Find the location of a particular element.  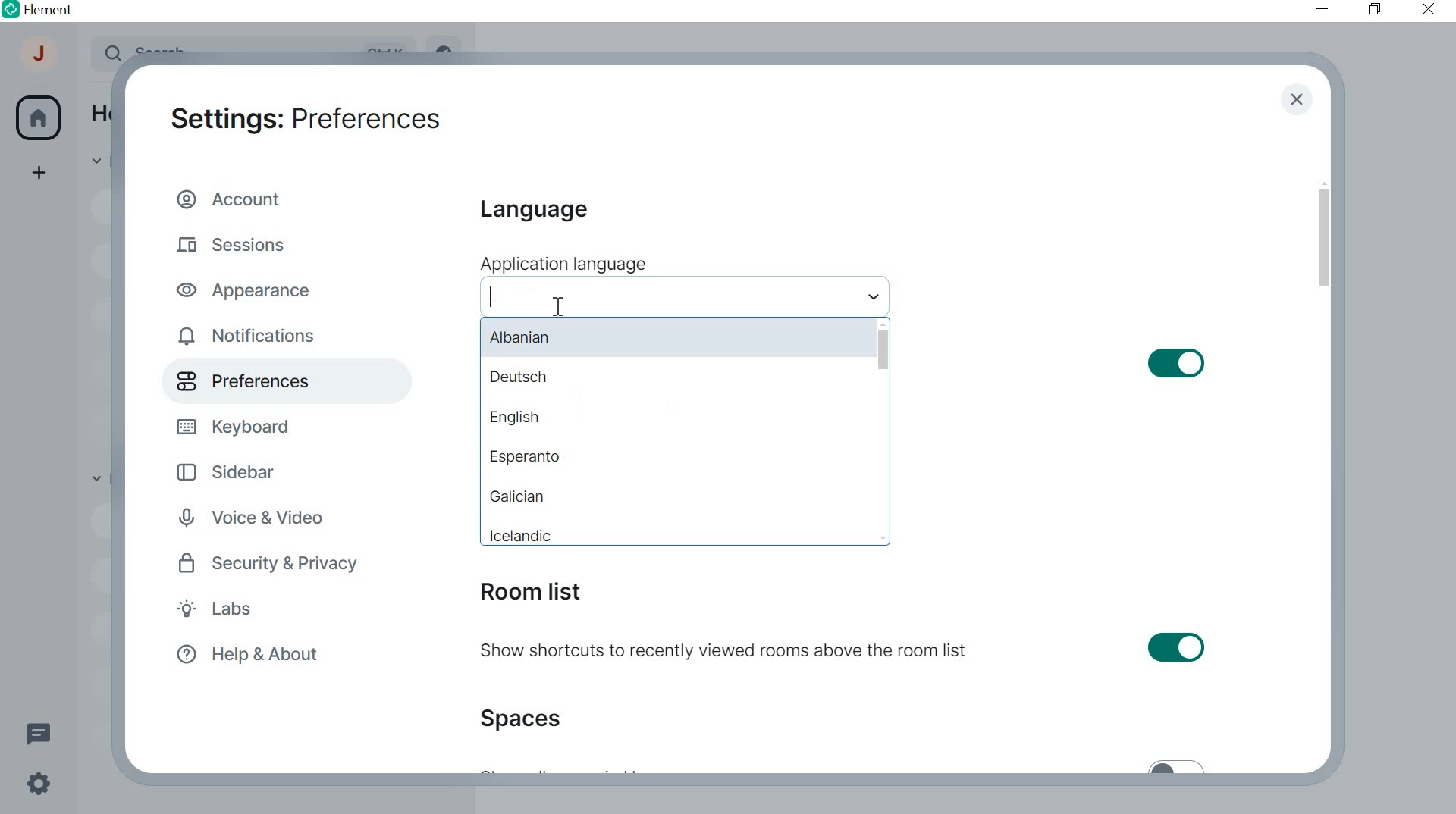

settings is located at coordinates (36, 787).